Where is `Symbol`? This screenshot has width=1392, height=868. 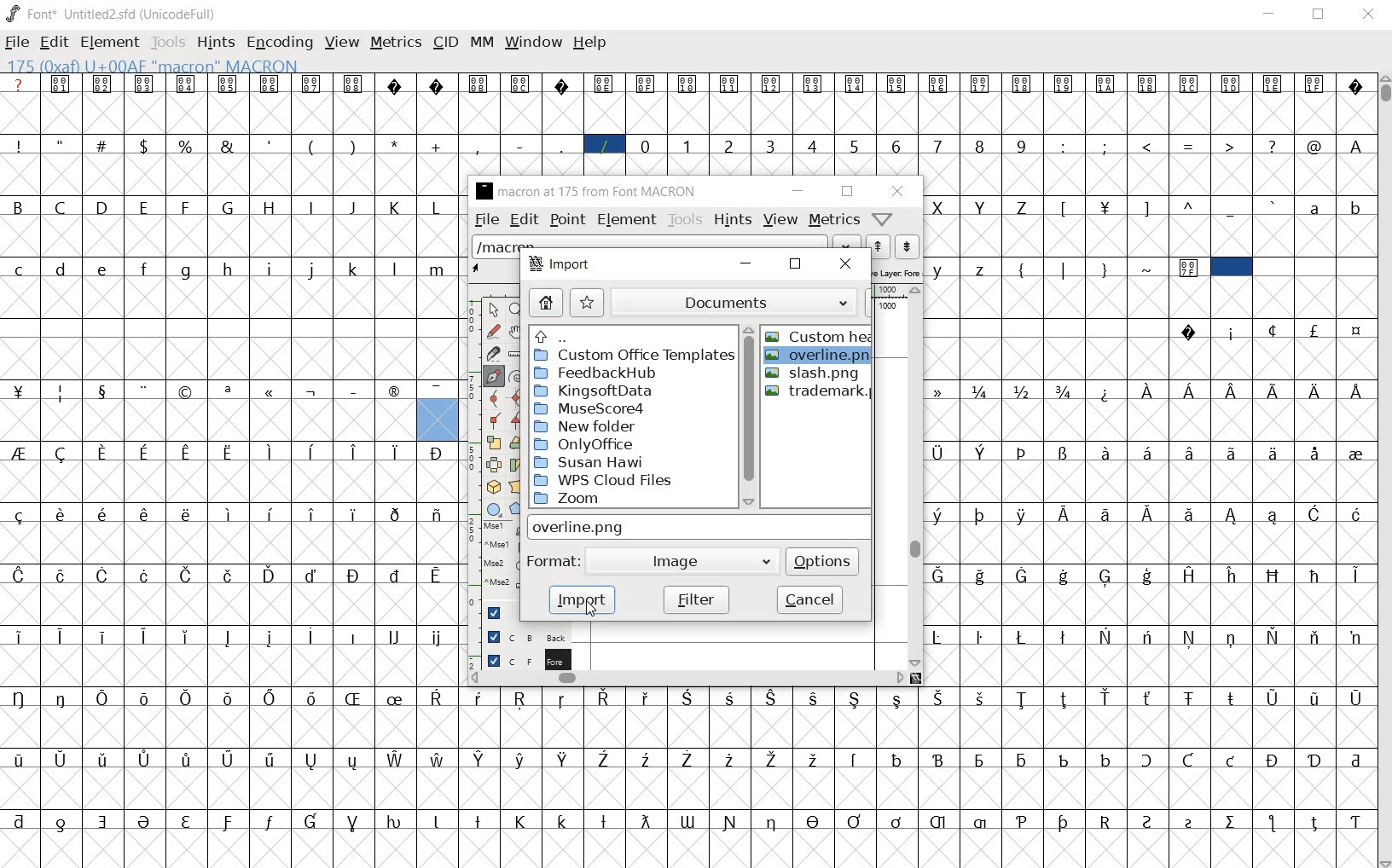
Symbol is located at coordinates (64, 698).